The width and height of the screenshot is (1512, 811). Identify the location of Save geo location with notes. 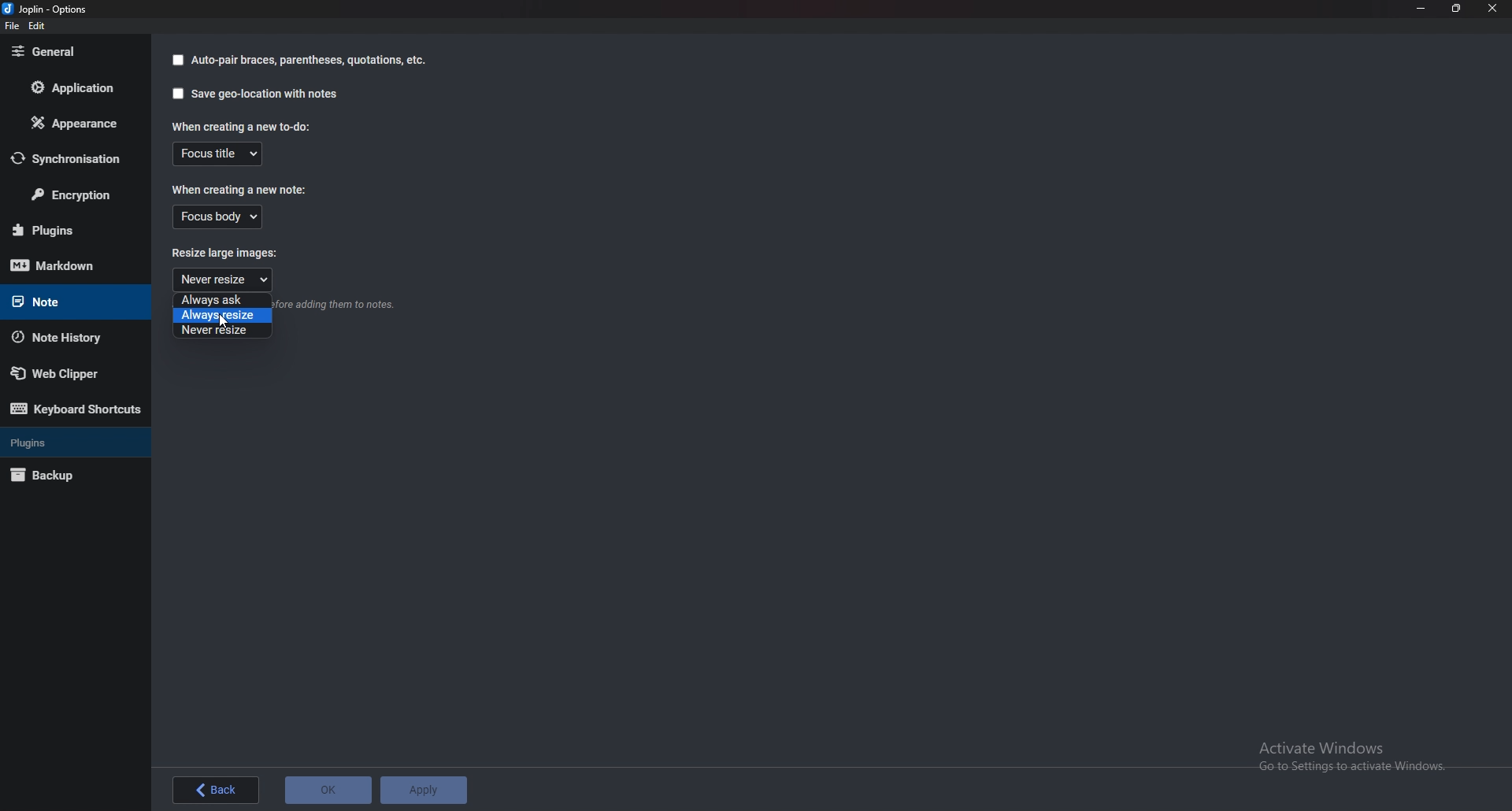
(257, 93).